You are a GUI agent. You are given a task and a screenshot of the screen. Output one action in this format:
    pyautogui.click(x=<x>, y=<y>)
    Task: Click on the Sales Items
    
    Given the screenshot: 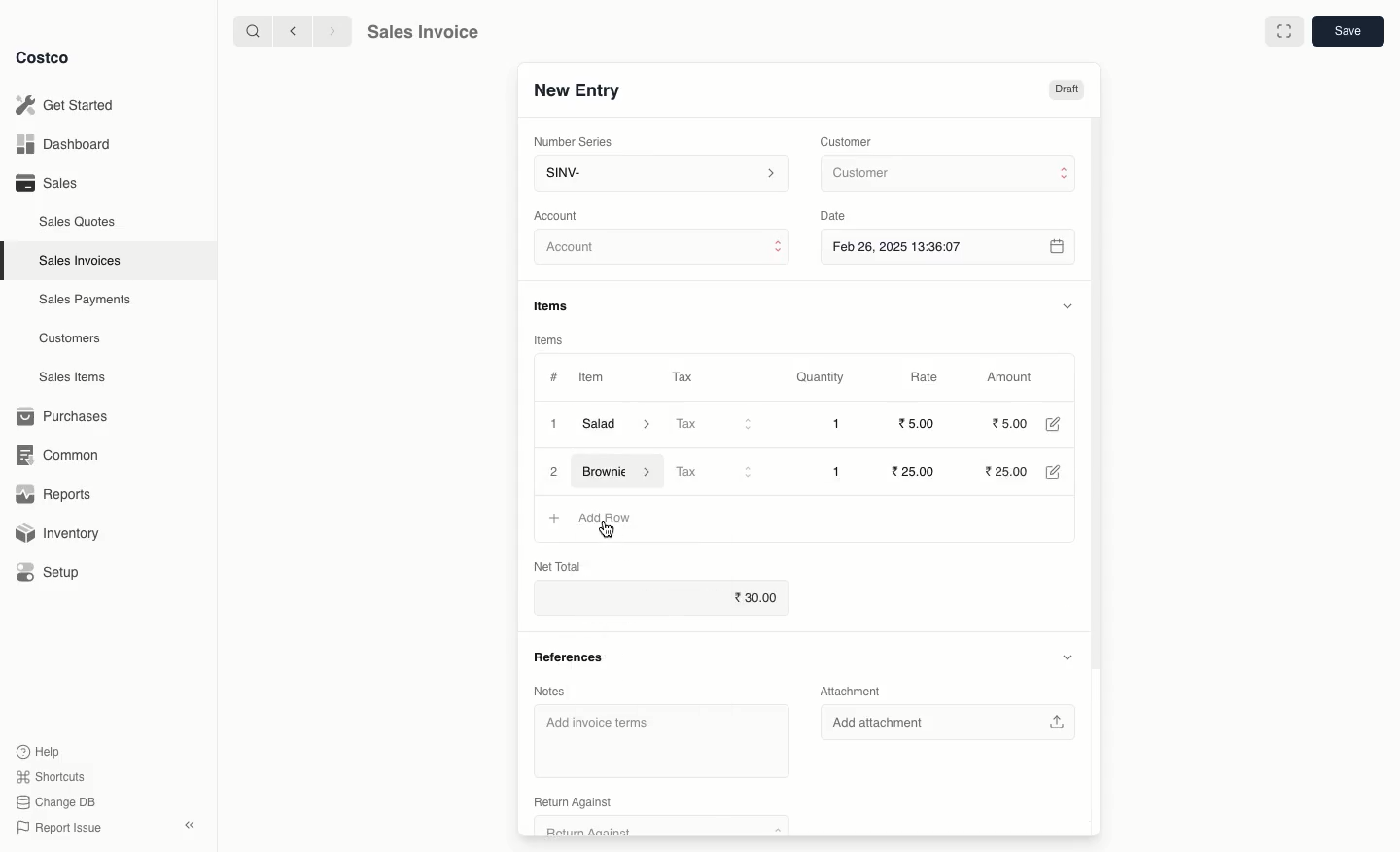 What is the action you would take?
    pyautogui.click(x=77, y=377)
    